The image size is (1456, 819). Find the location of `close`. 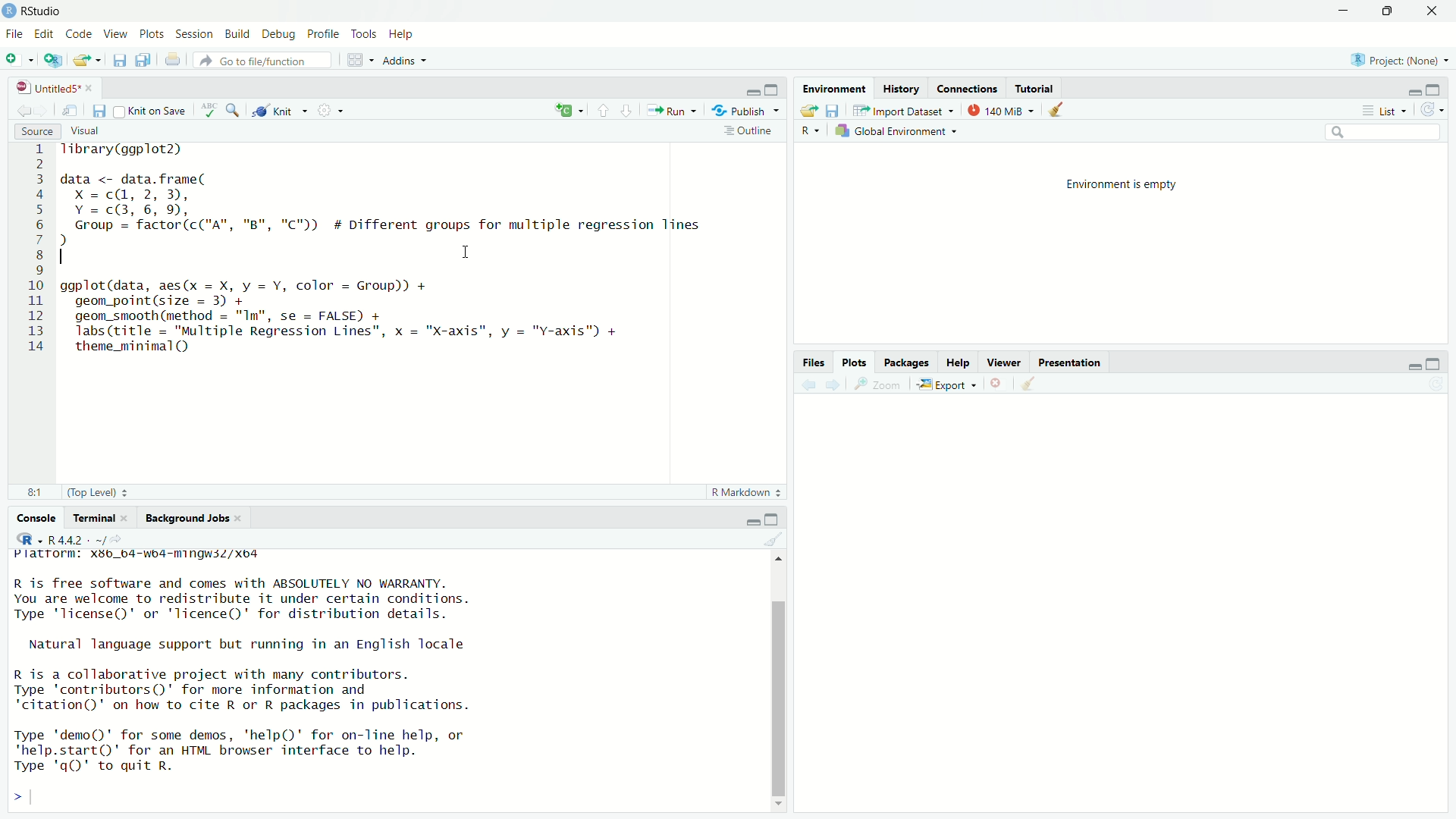

close is located at coordinates (996, 384).